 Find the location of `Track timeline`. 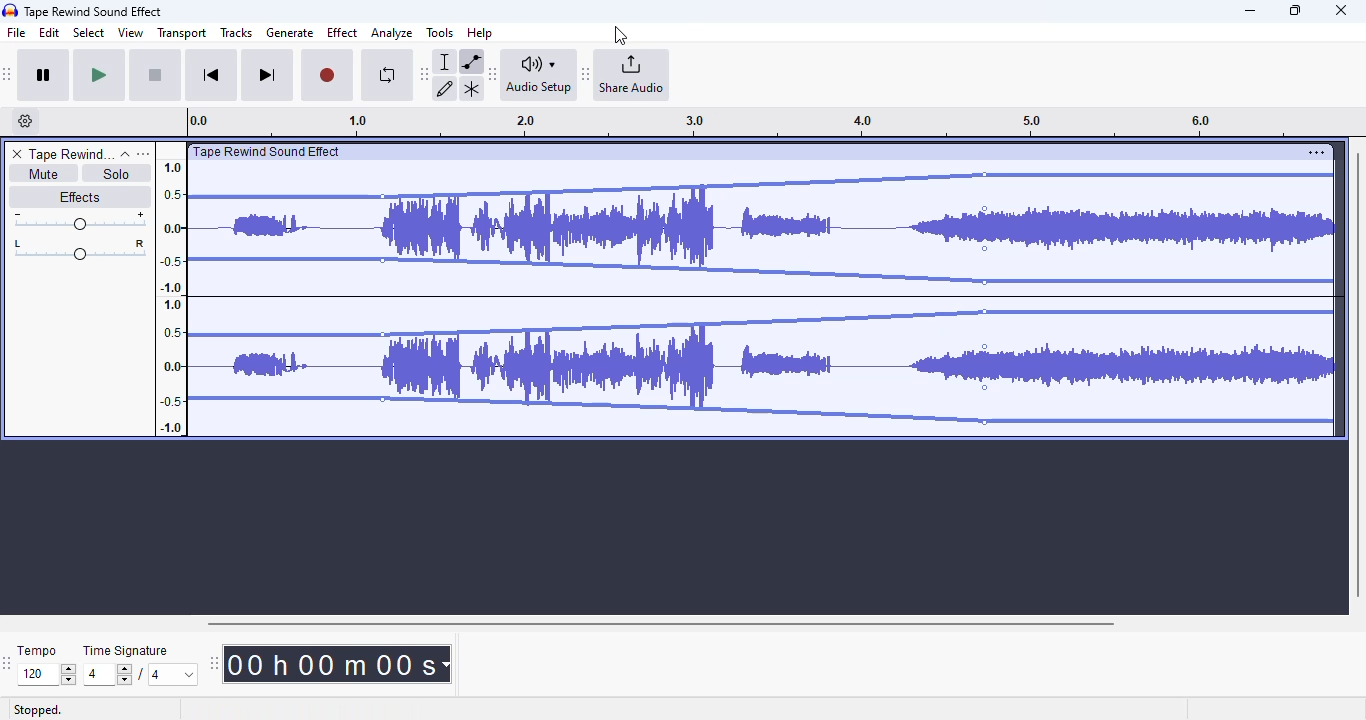

Track timeline is located at coordinates (744, 122).